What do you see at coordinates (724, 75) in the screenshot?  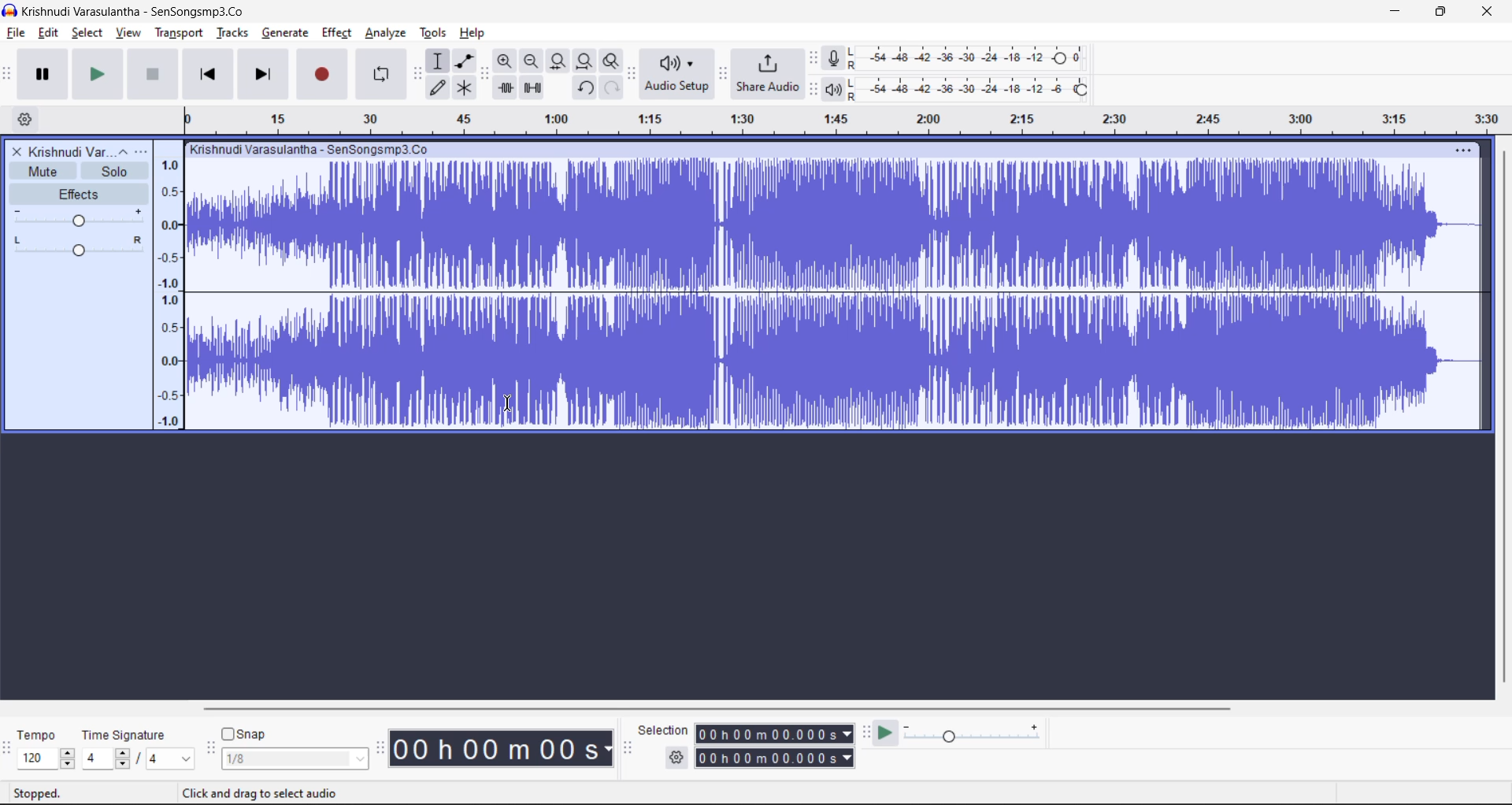 I see `share audio toolbar` at bounding box center [724, 75].